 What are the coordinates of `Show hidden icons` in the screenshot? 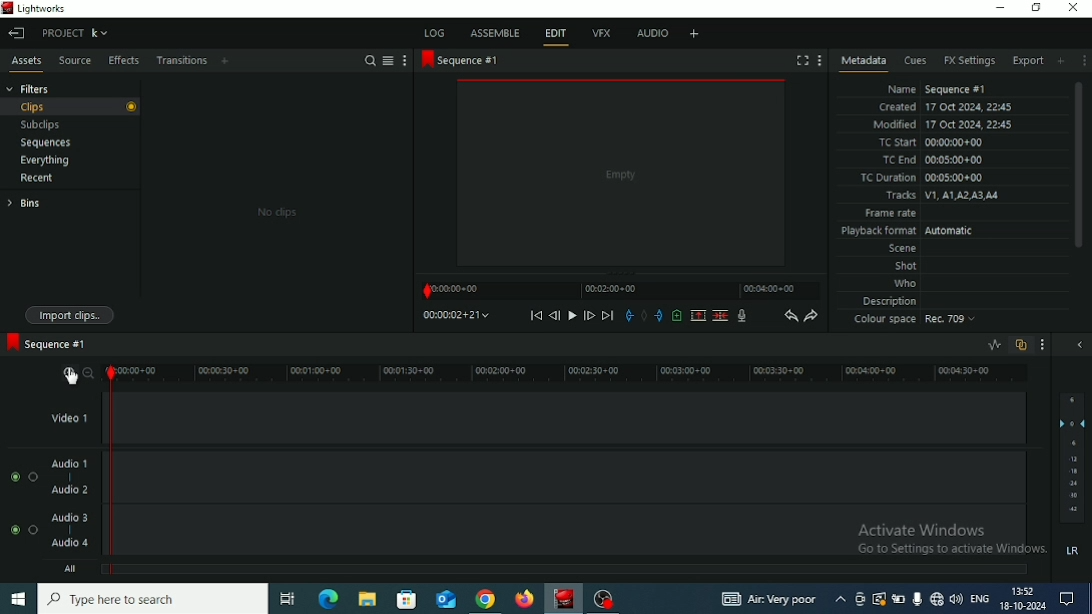 It's located at (840, 599).